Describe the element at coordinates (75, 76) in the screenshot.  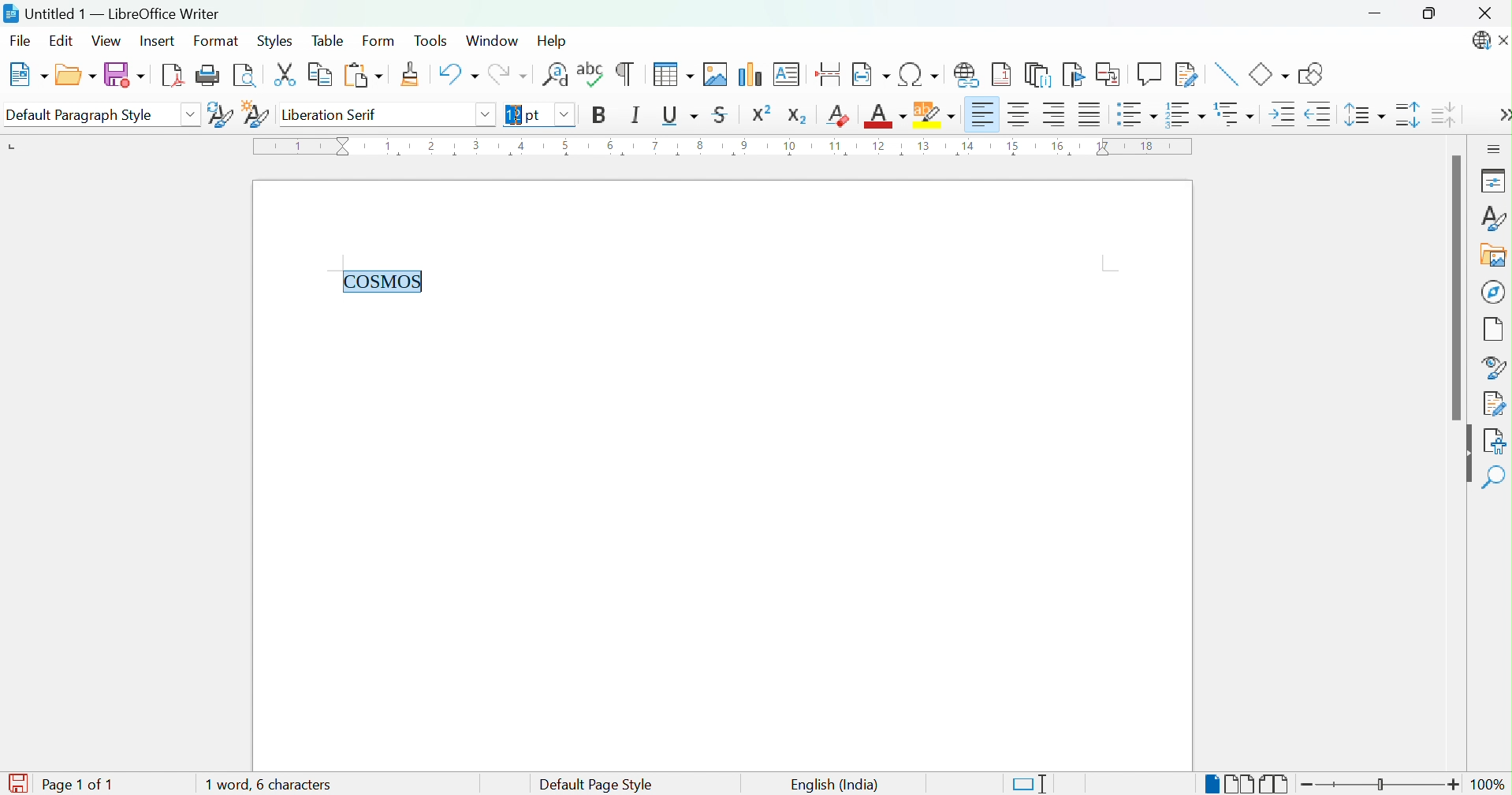
I see `Open` at that location.